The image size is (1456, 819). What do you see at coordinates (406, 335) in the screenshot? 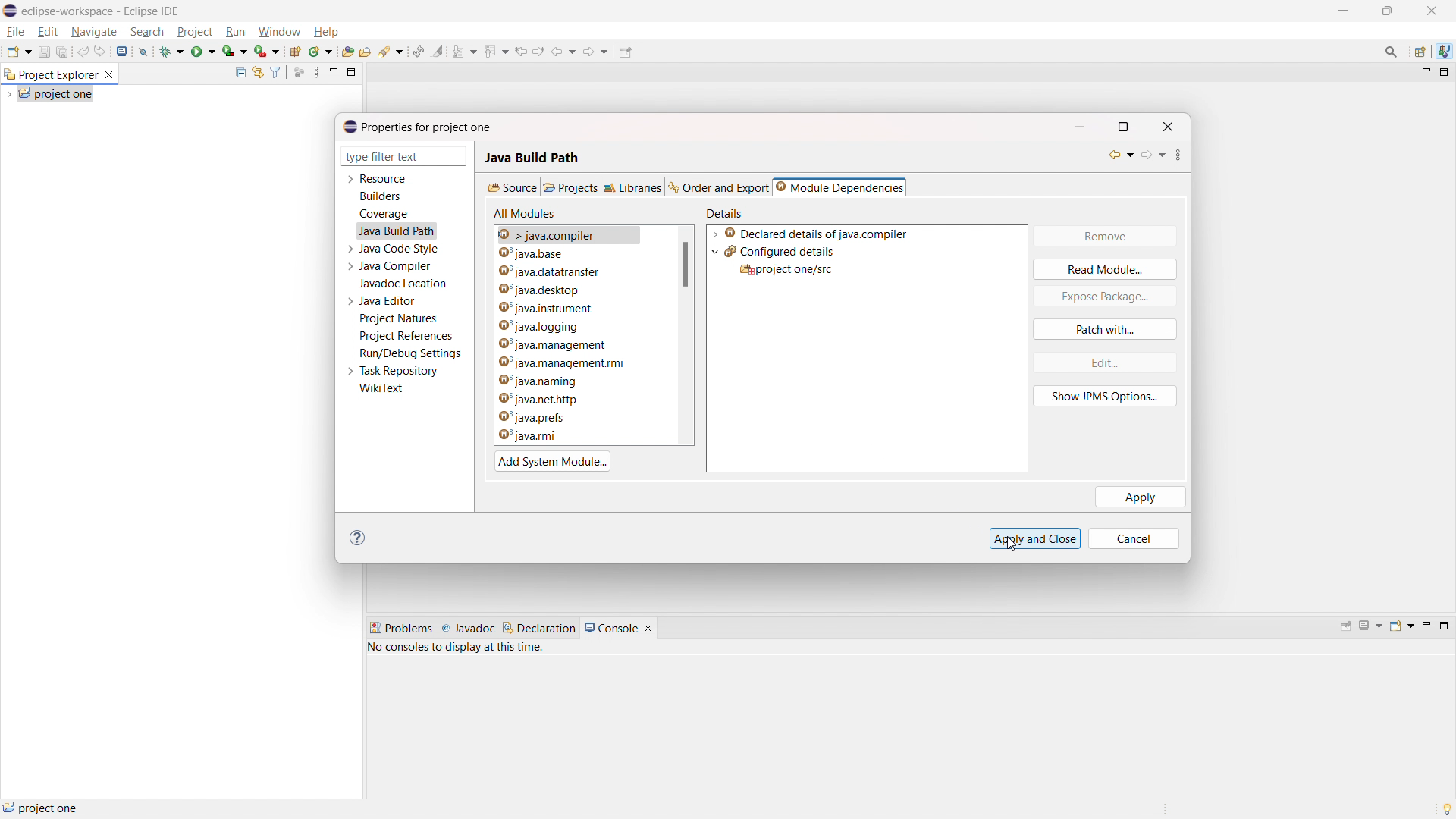
I see `project references` at bounding box center [406, 335].